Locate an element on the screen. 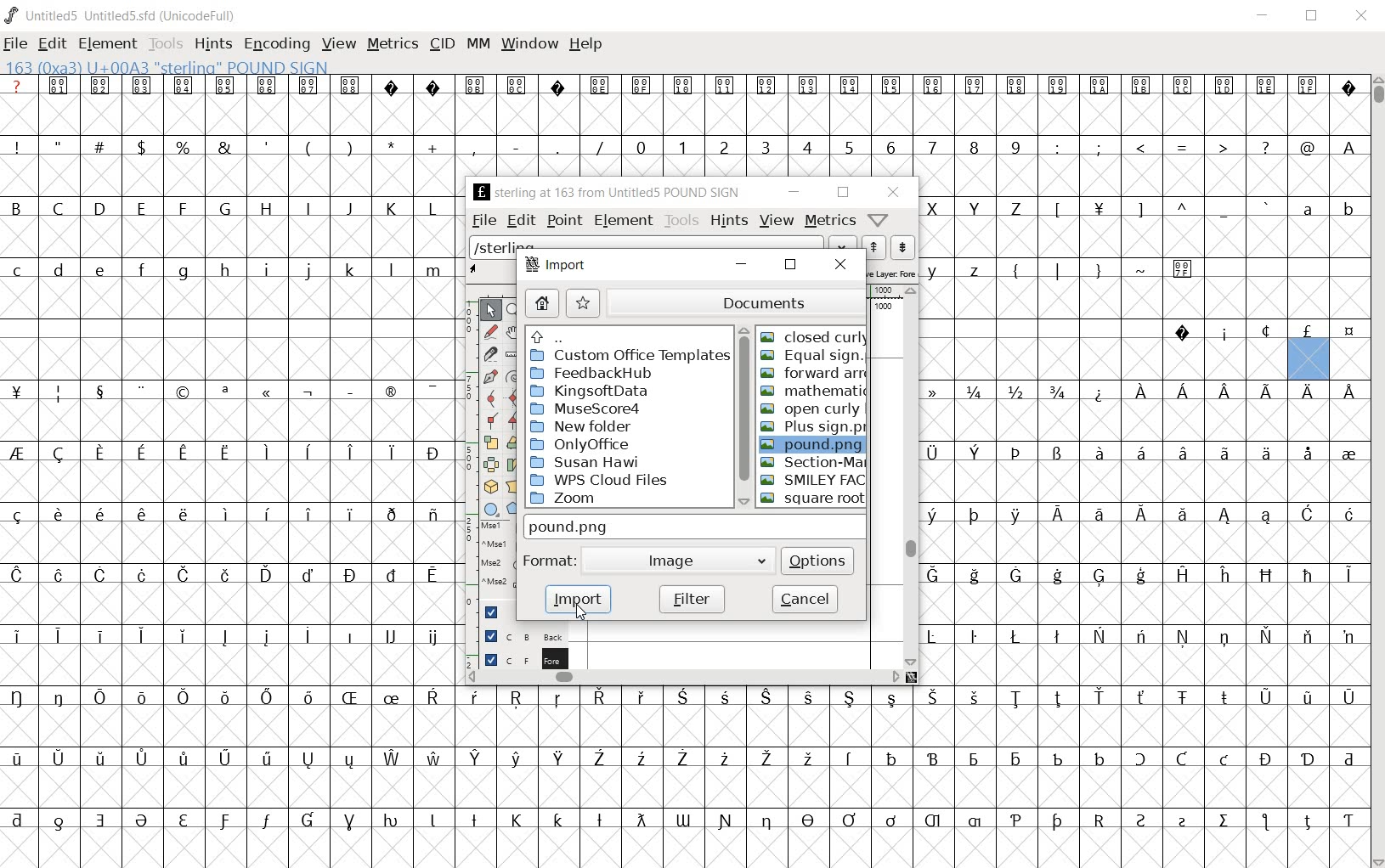 Image resolution: width=1385 pixels, height=868 pixels. Symbol is located at coordinates (100, 760).